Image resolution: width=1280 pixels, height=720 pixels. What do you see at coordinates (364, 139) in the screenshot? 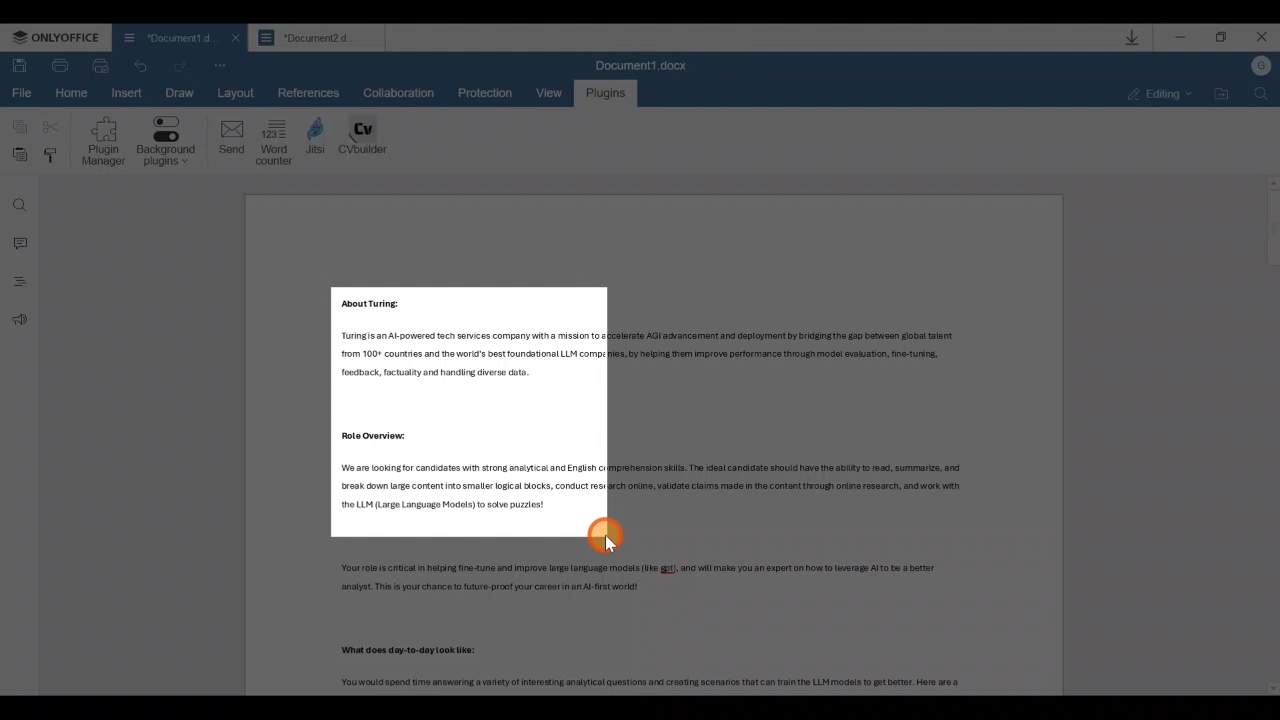
I see `CV builder` at bounding box center [364, 139].